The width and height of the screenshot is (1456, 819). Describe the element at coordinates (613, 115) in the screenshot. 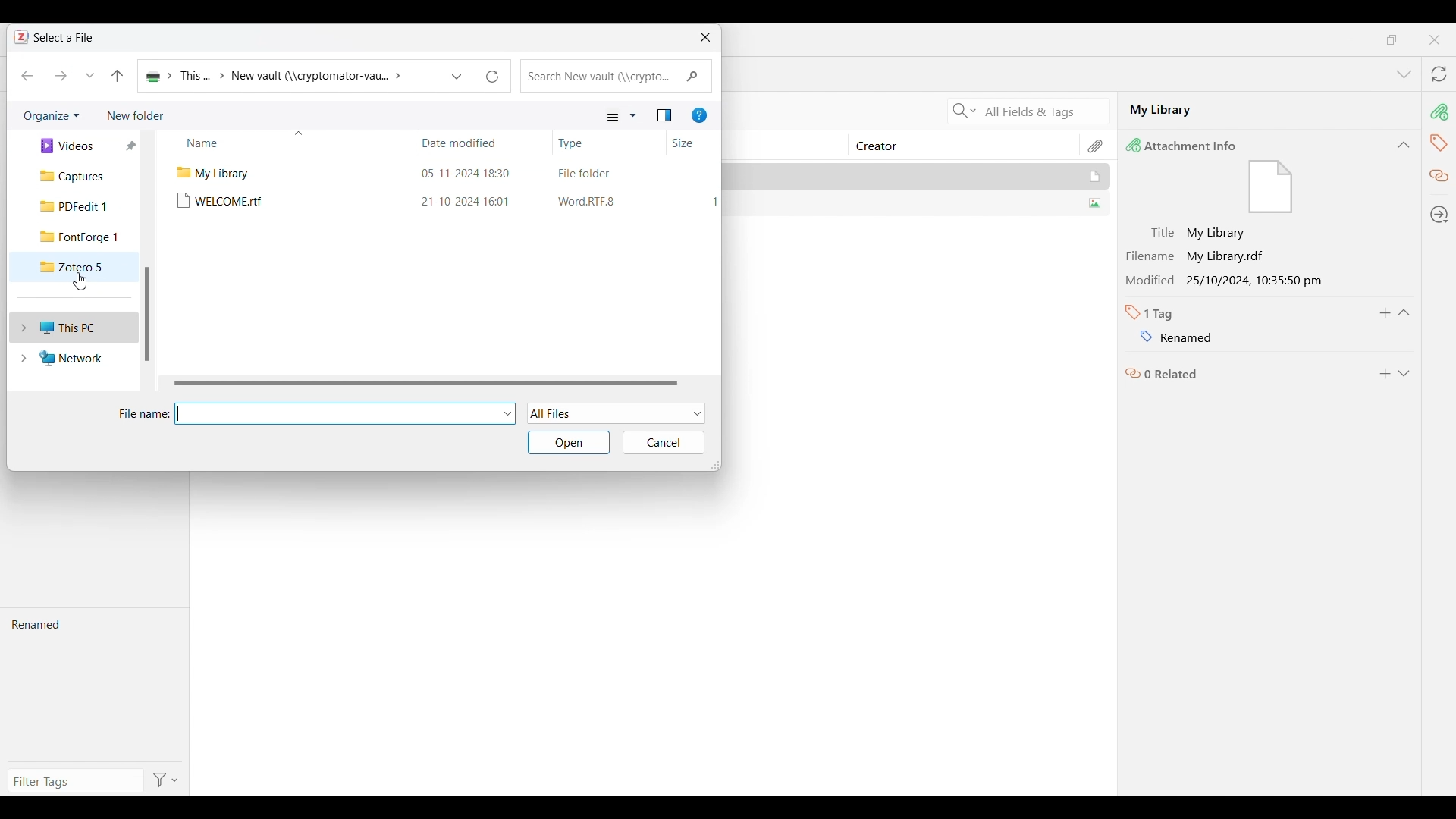

I see `Current view` at that location.